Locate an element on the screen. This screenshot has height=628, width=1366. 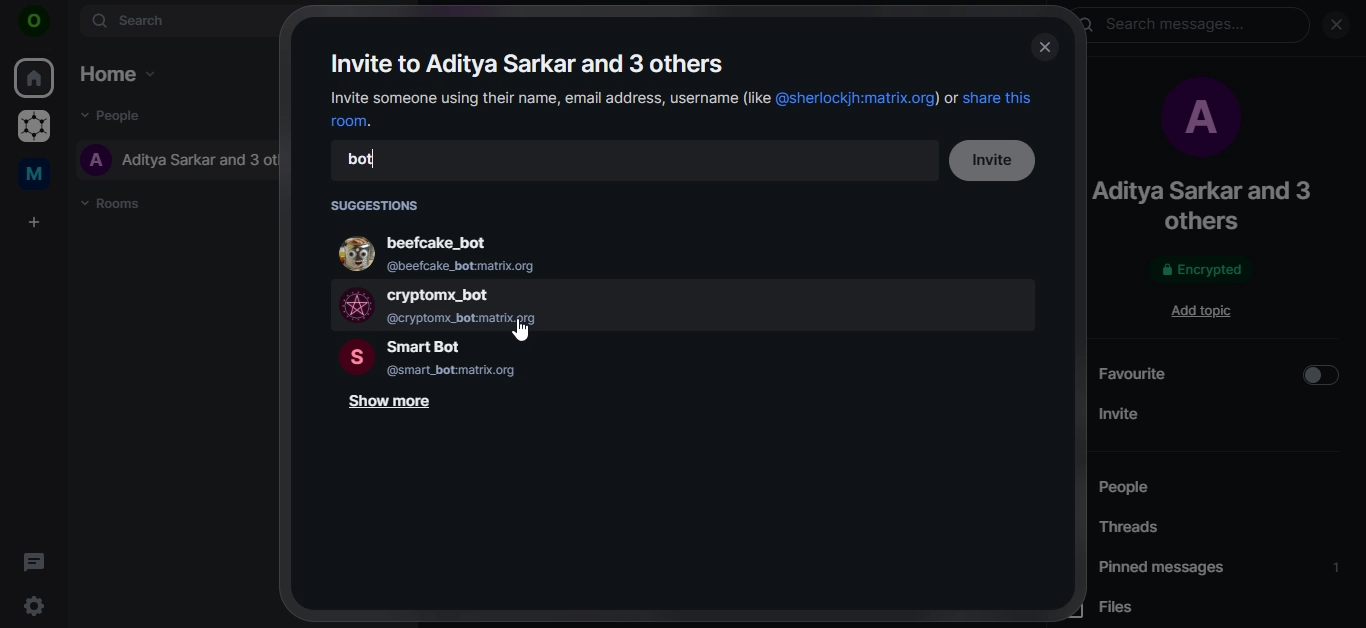
bot is located at coordinates (365, 161).